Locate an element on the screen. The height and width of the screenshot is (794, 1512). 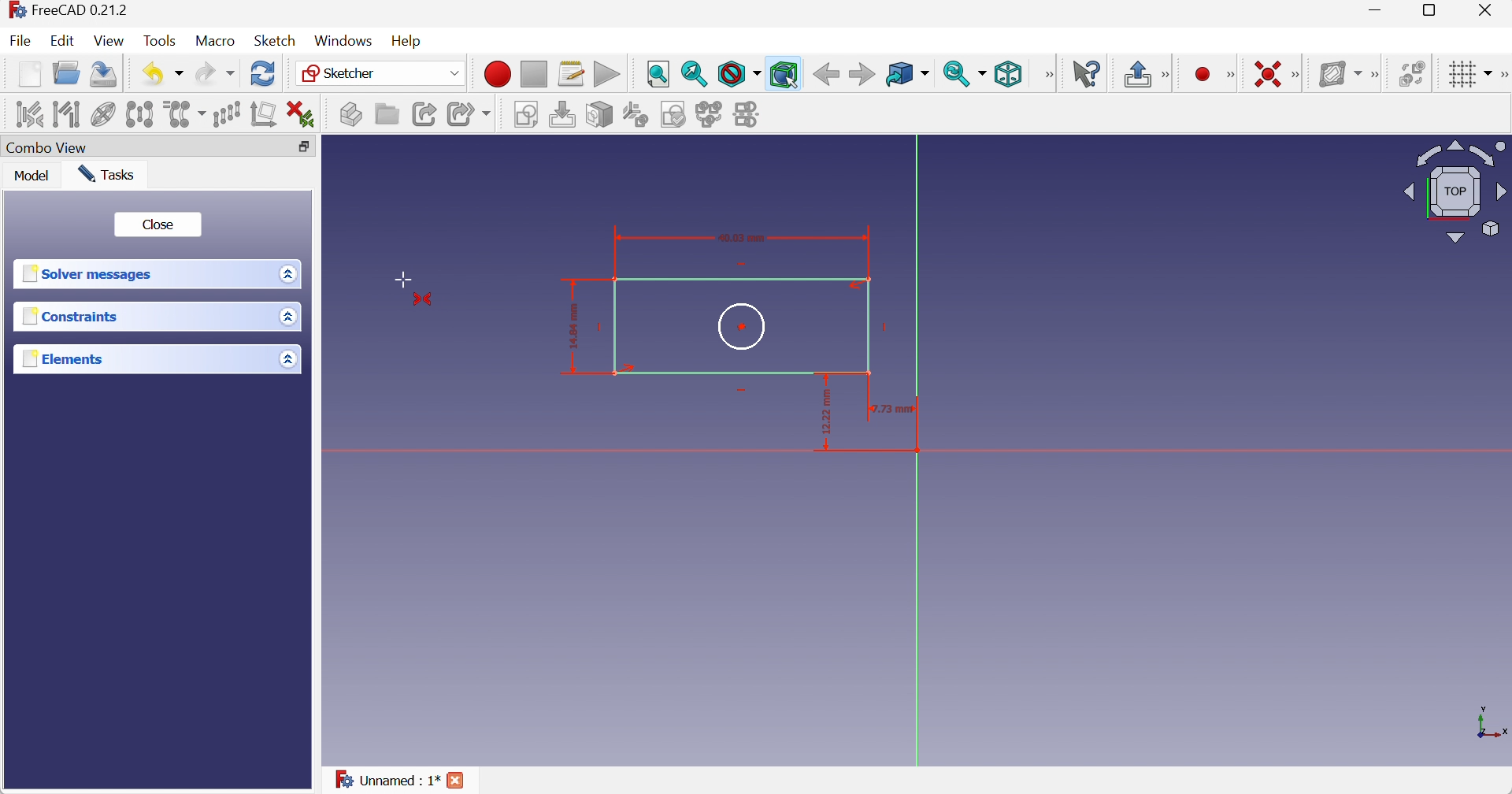
Save is located at coordinates (102, 75).